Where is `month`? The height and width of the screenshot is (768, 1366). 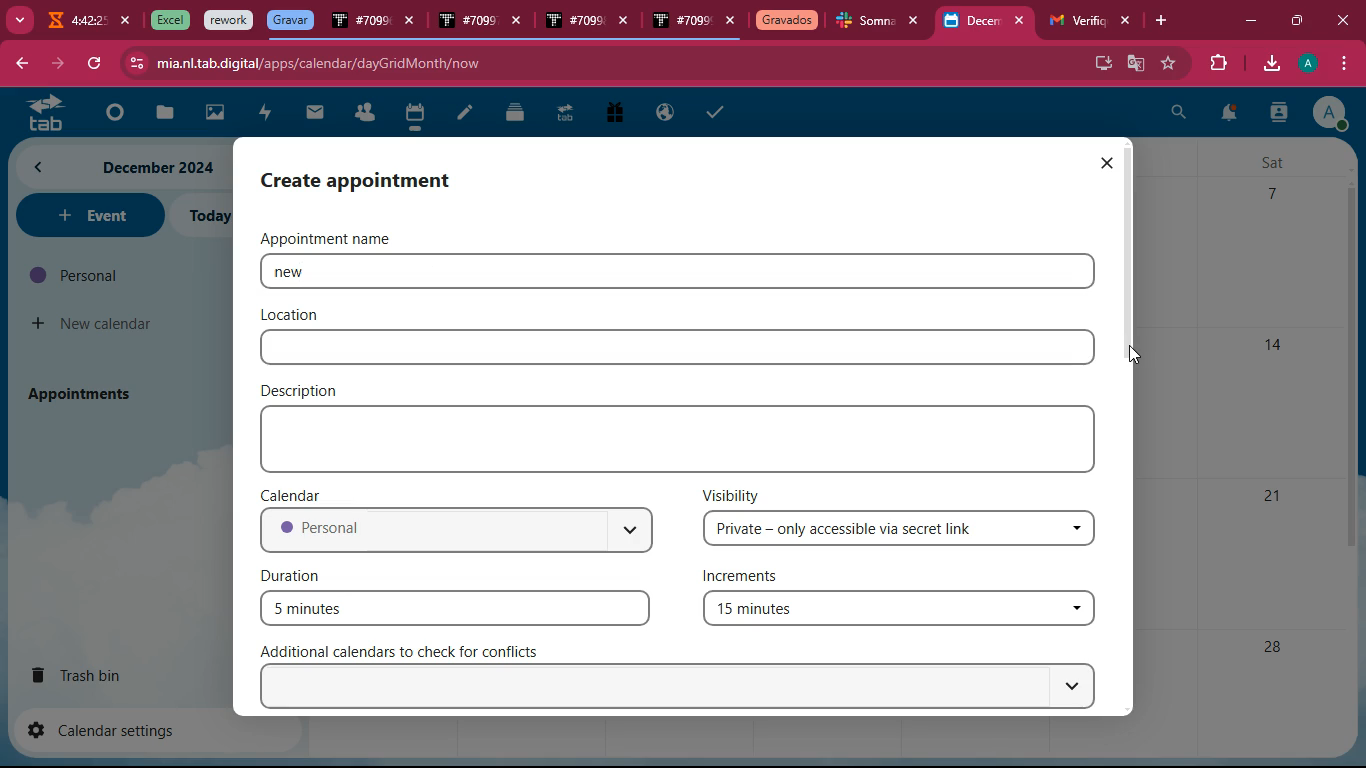 month is located at coordinates (120, 167).